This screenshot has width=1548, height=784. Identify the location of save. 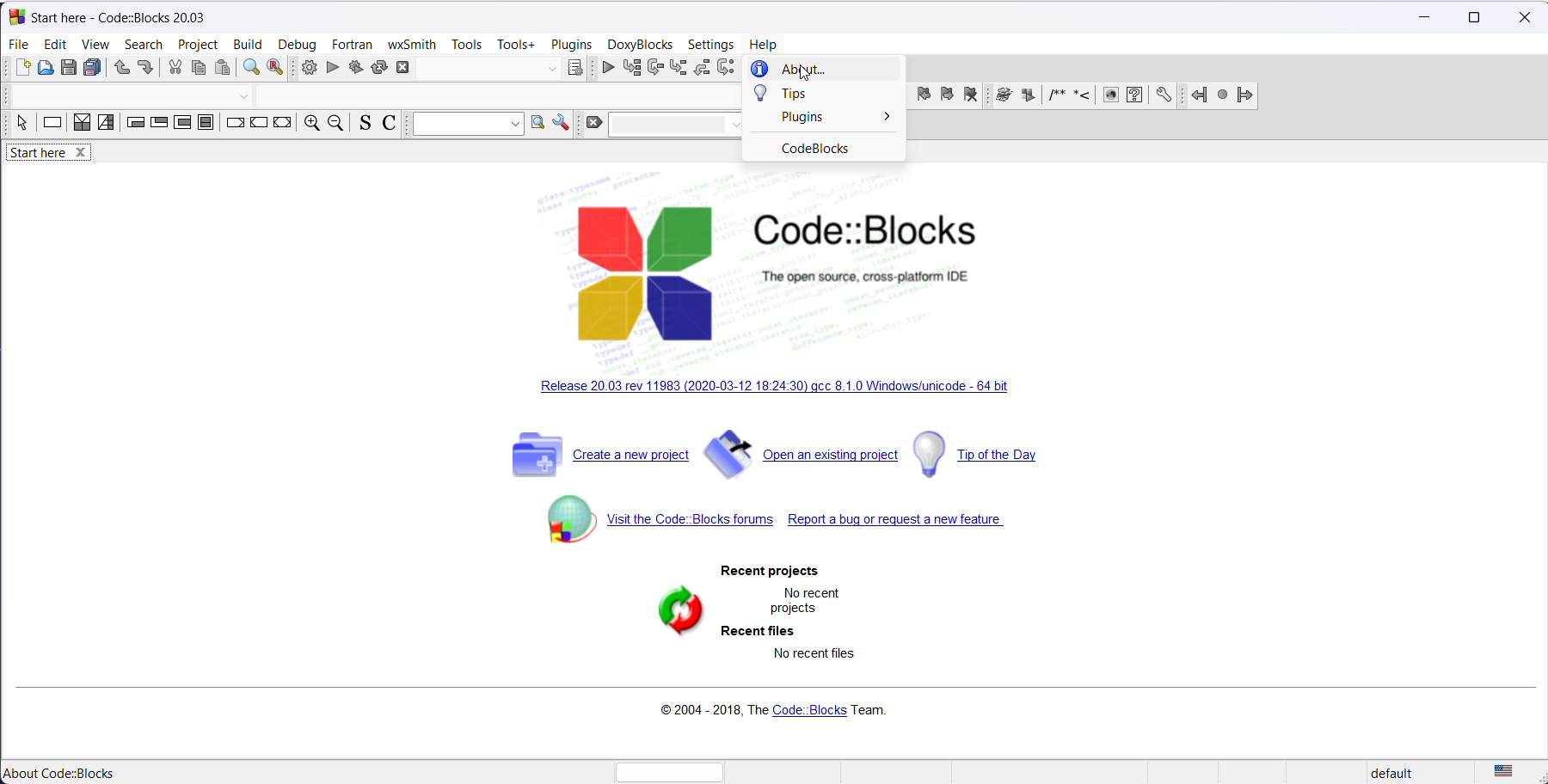
(66, 69).